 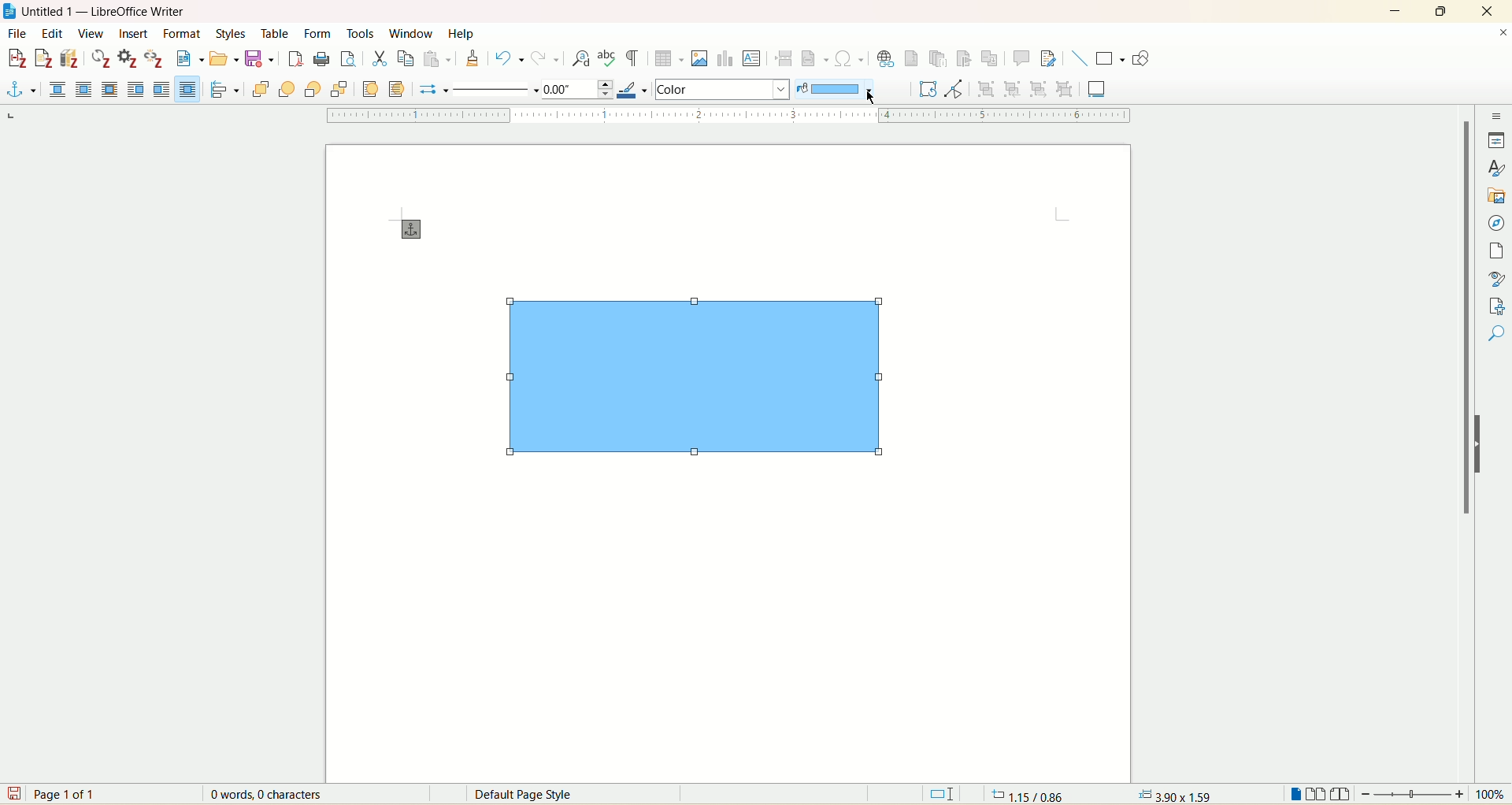 I want to click on line color, so click(x=631, y=90).